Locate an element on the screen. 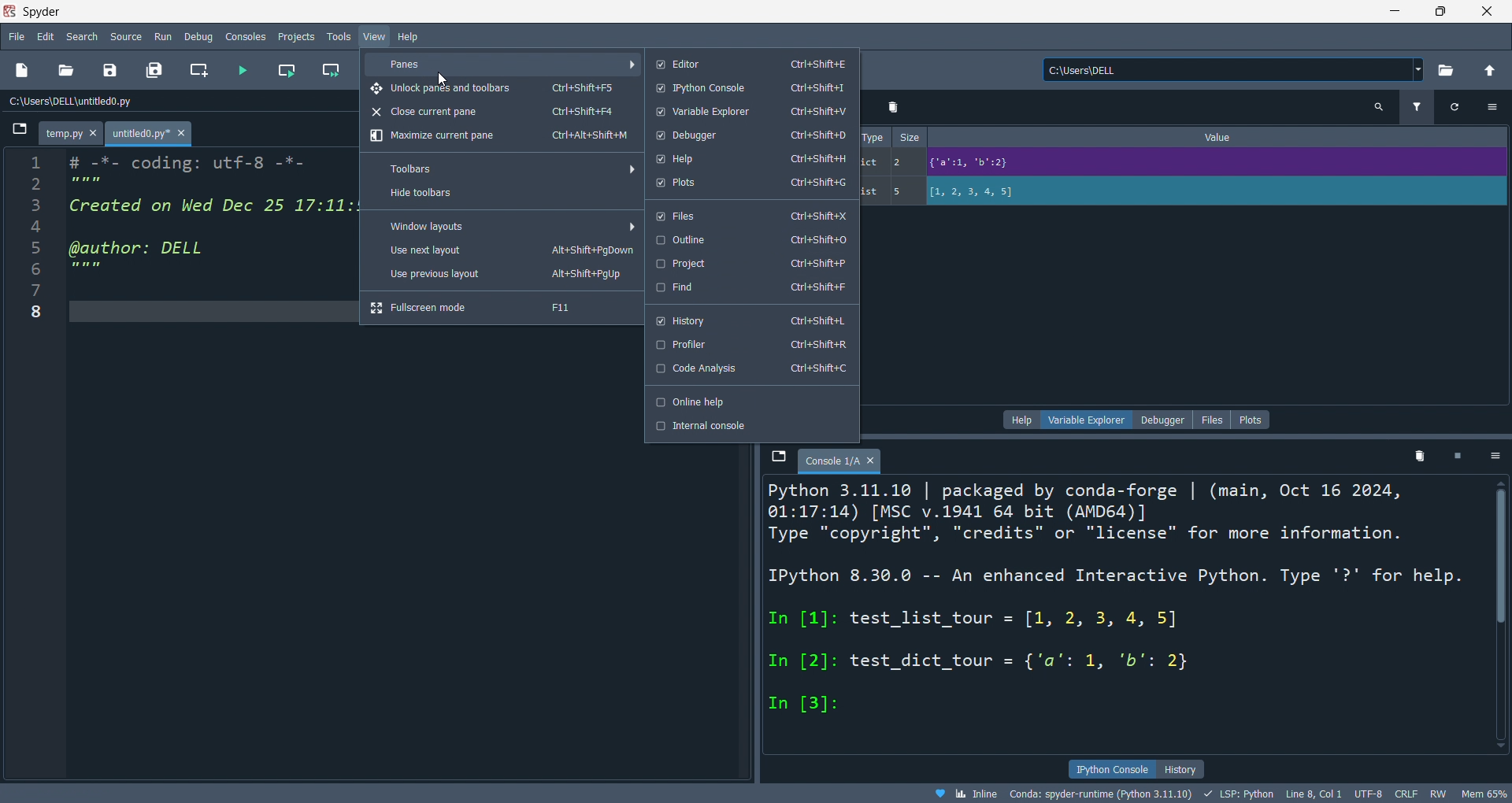 This screenshot has height=803, width=1512. debugger is located at coordinates (1160, 420).